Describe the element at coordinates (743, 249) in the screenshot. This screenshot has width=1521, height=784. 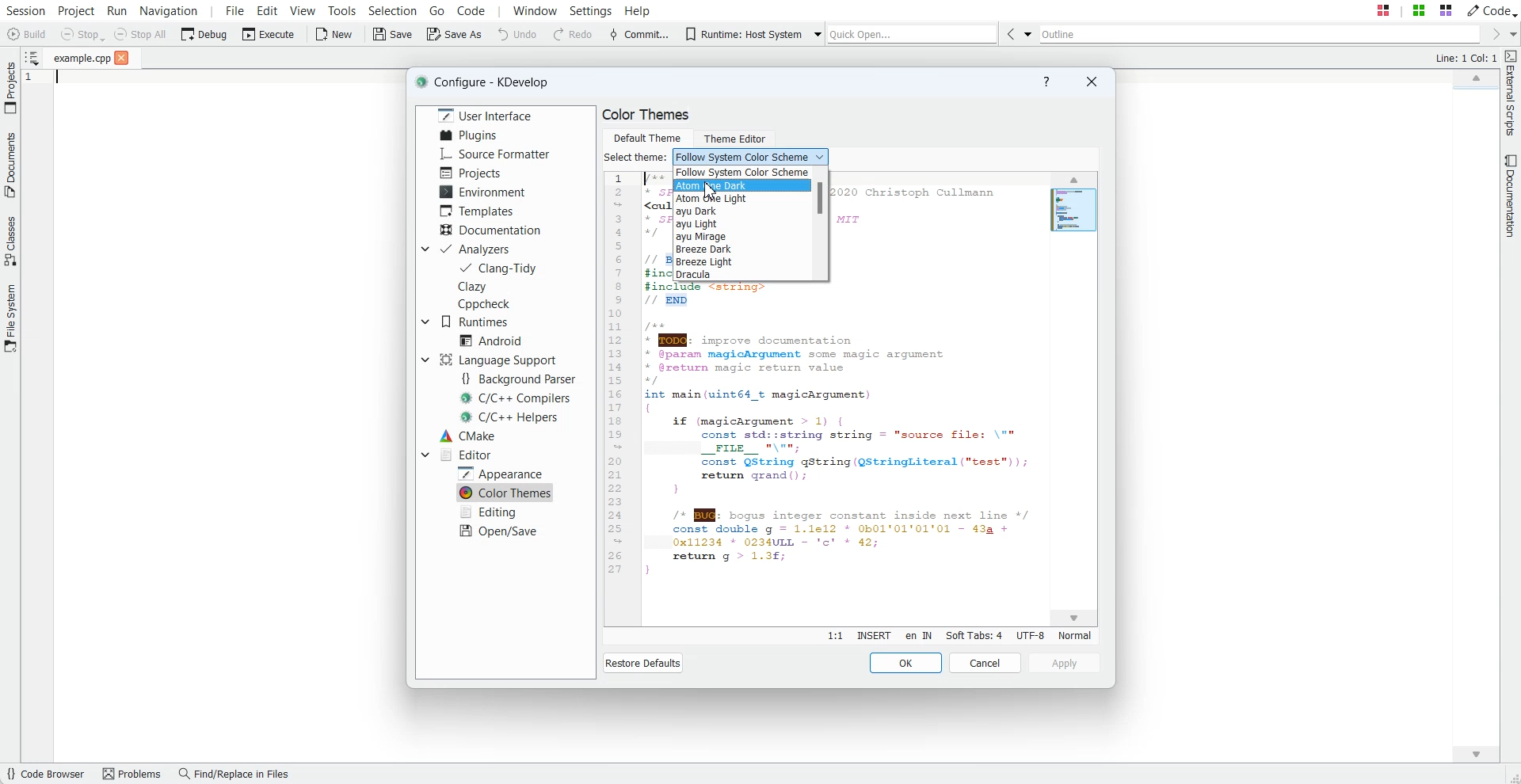
I see `Breeze Dark` at that location.